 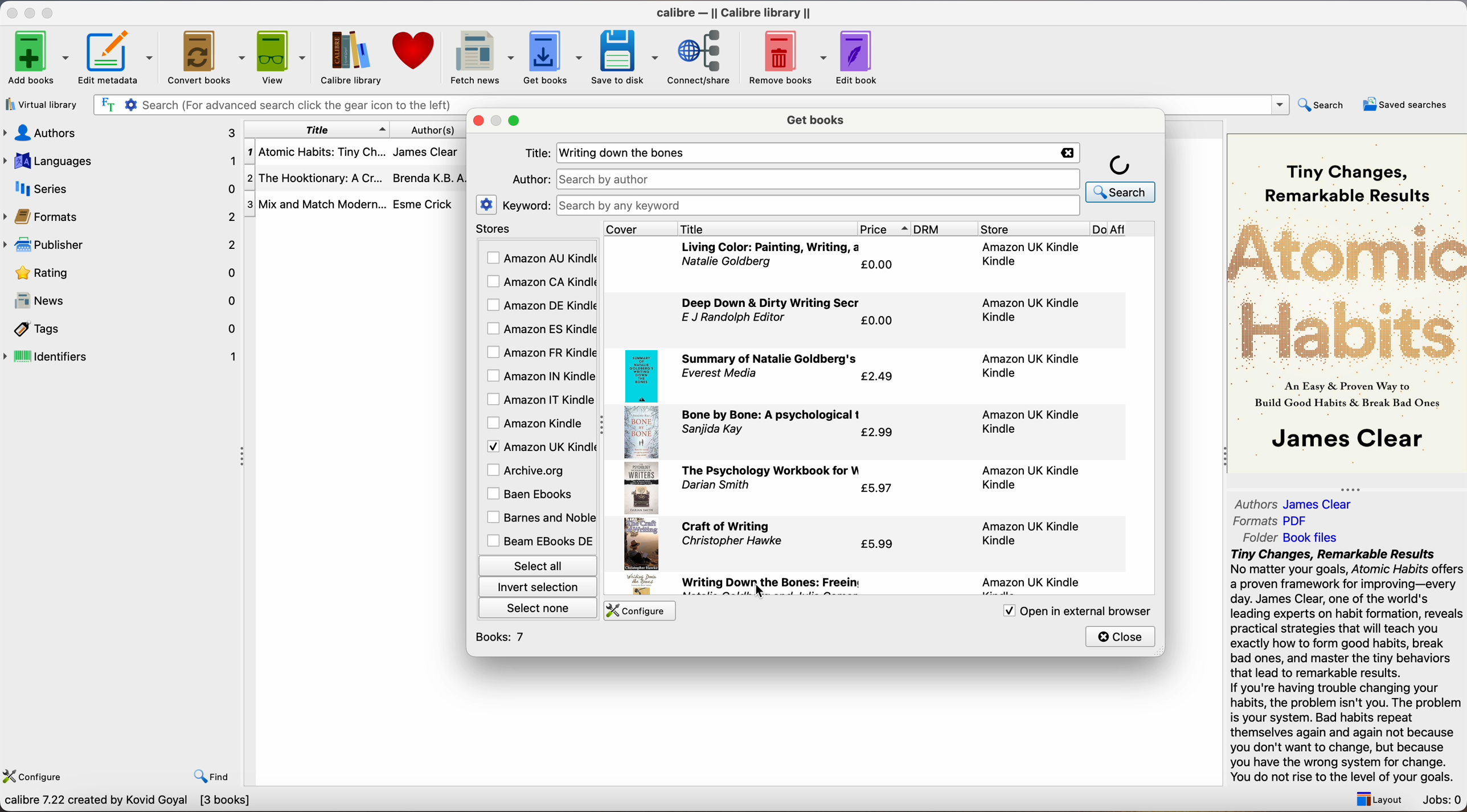 What do you see at coordinates (423, 204) in the screenshot?
I see `Esme Crick` at bounding box center [423, 204].